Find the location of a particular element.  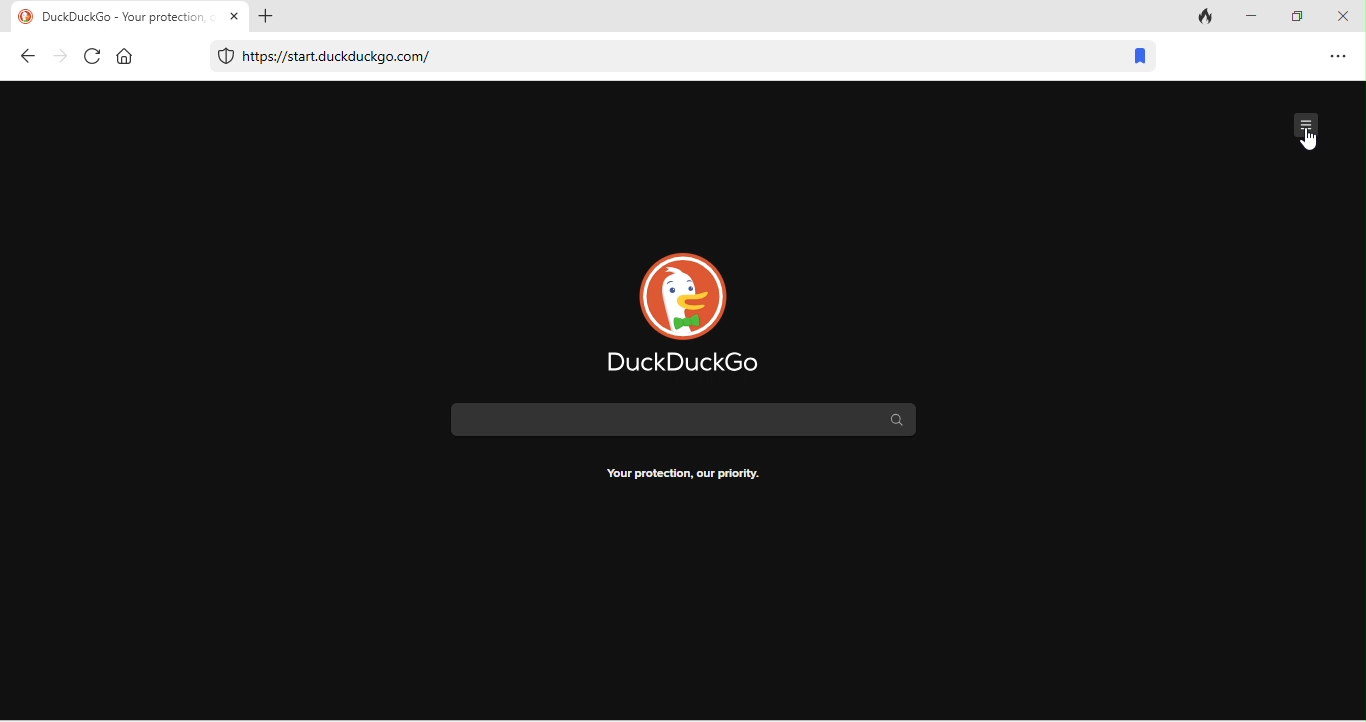

close is located at coordinates (1346, 16).